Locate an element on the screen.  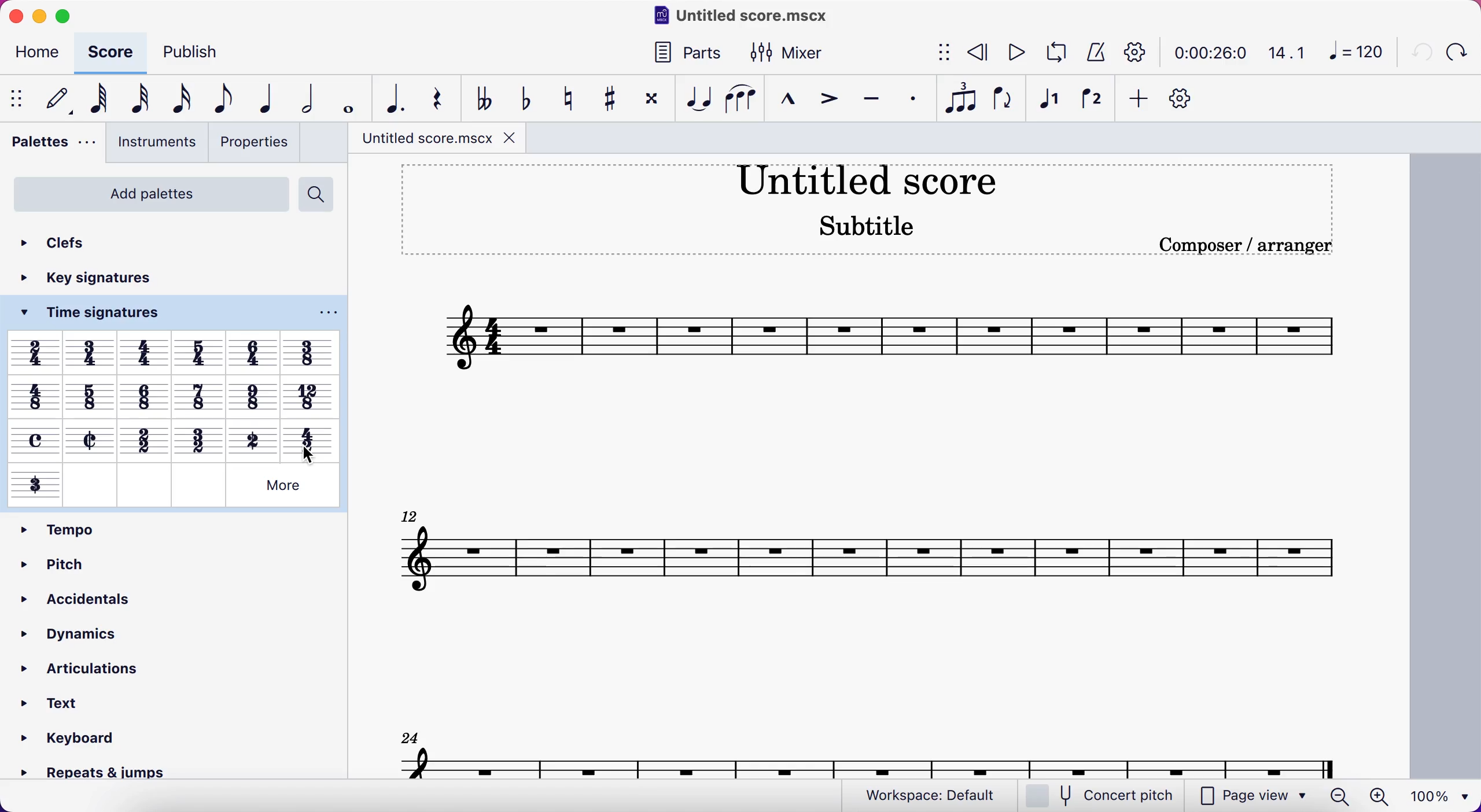
toggle natural is located at coordinates (565, 96).